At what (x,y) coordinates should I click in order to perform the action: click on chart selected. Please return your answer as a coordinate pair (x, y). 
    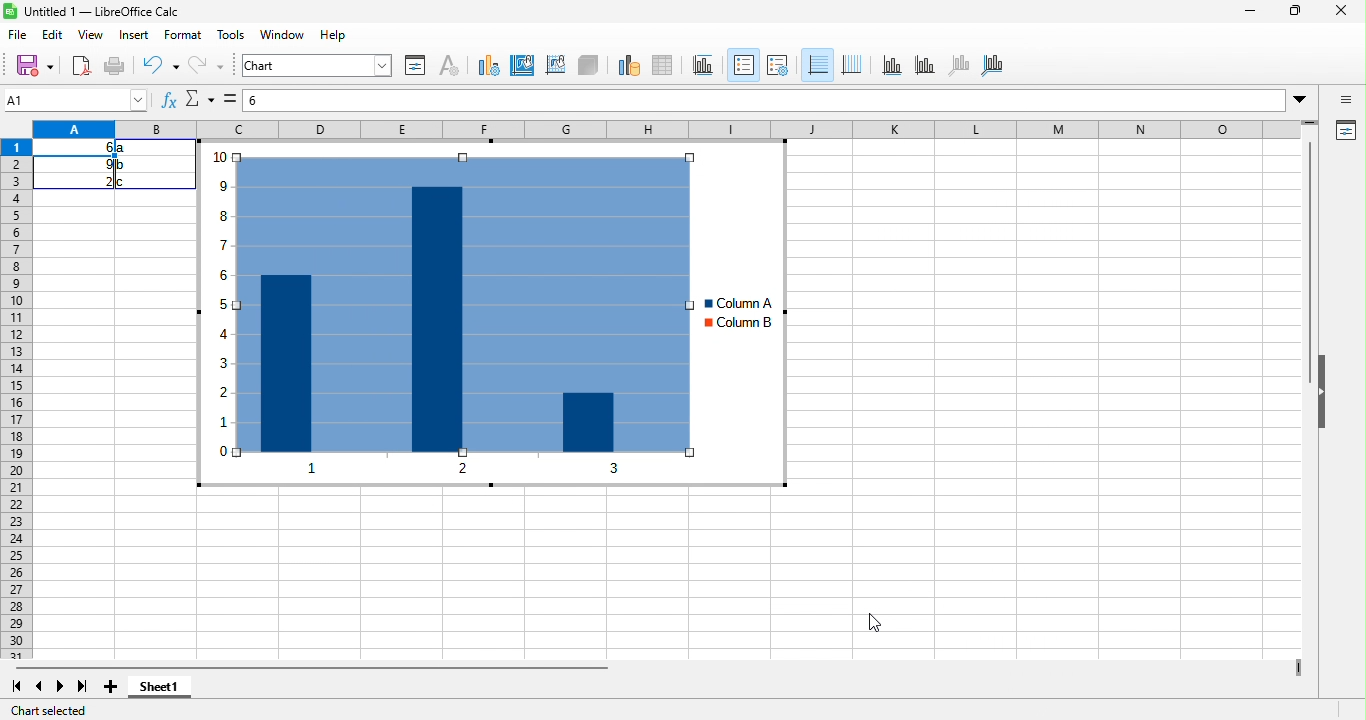
    Looking at the image, I should click on (59, 710).